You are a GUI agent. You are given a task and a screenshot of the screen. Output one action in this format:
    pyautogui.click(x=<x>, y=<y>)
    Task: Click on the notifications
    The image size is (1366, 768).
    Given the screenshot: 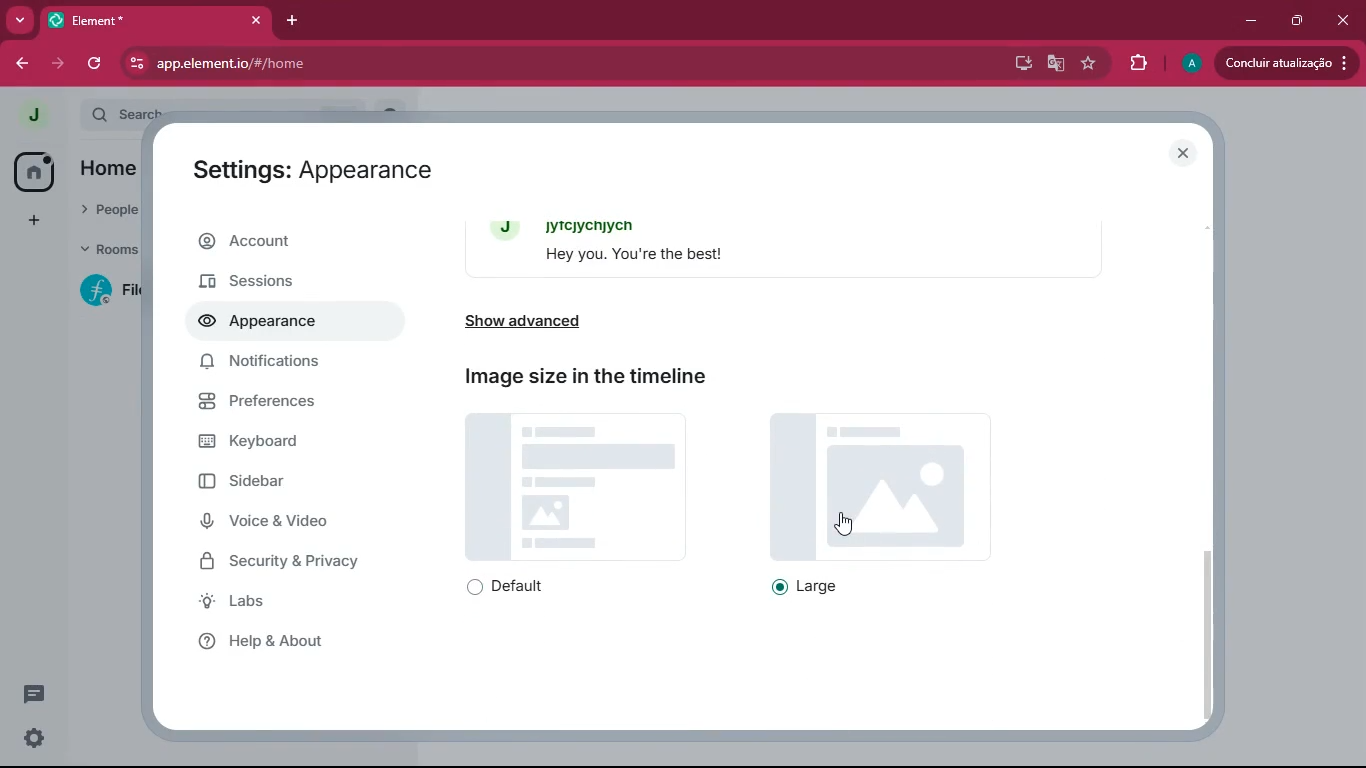 What is the action you would take?
    pyautogui.click(x=271, y=365)
    